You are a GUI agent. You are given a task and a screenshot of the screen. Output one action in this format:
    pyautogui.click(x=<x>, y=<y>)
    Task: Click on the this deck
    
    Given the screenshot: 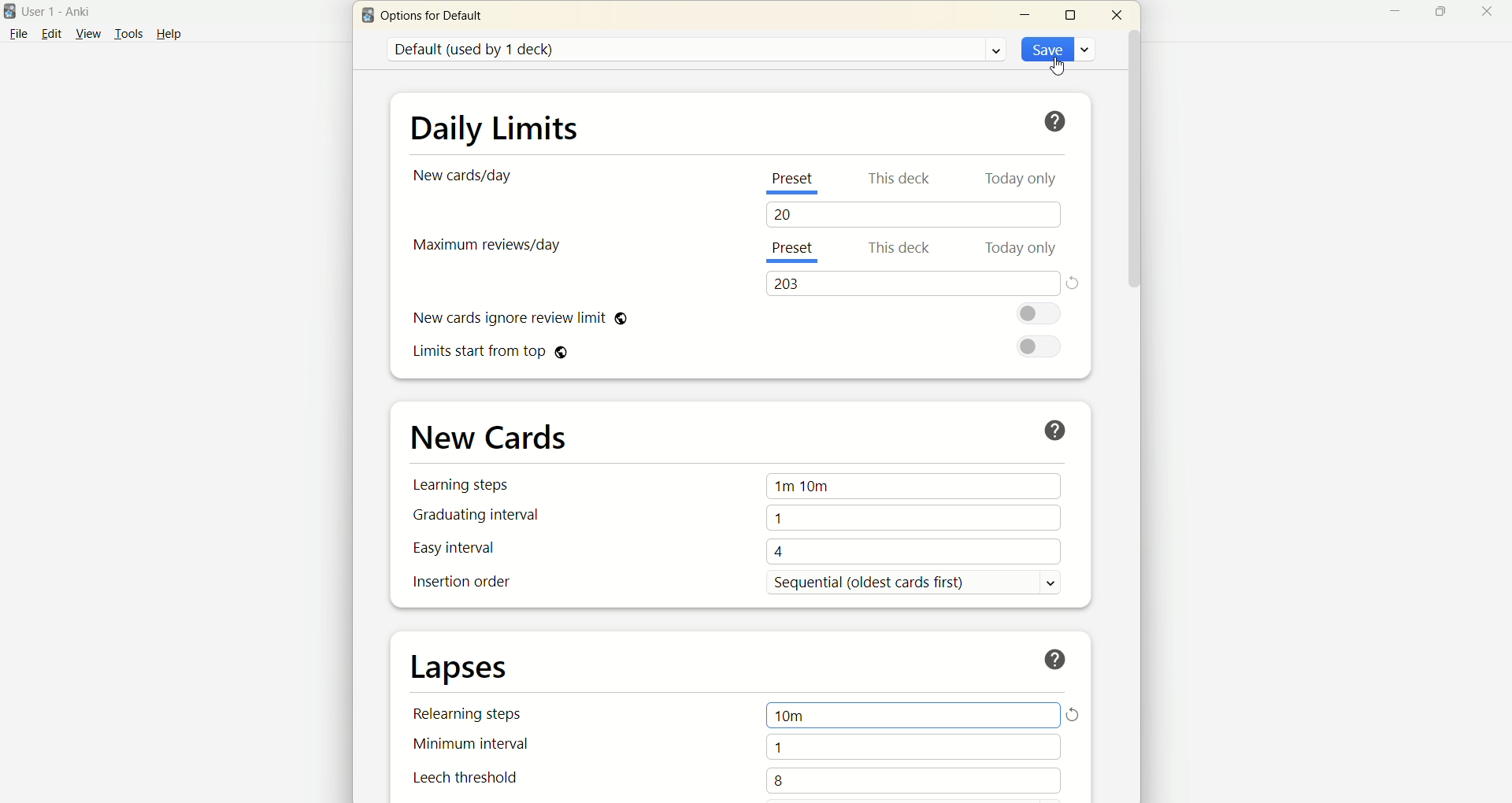 What is the action you would take?
    pyautogui.click(x=897, y=178)
    